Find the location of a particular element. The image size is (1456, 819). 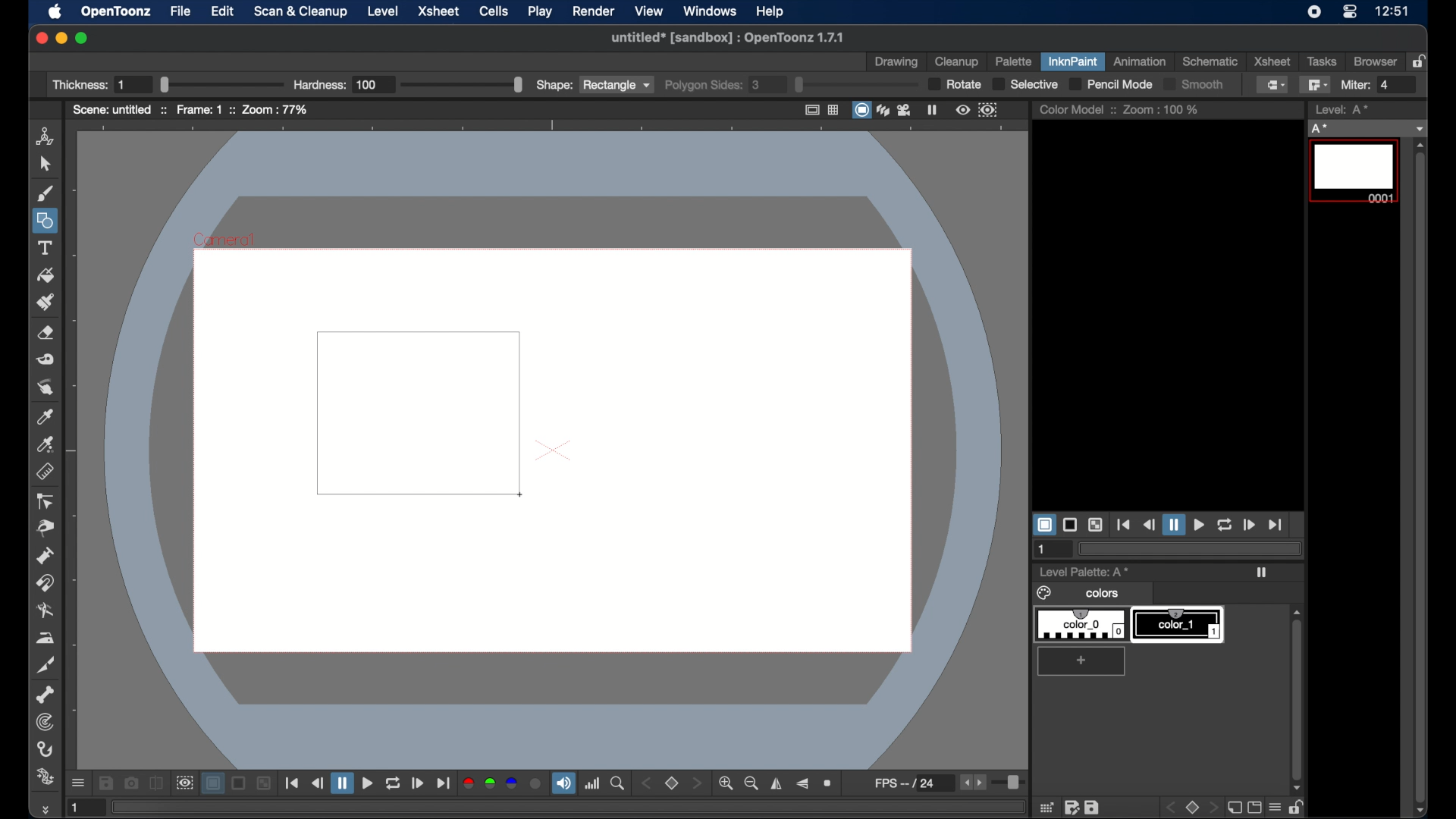

green channel is located at coordinates (491, 783).